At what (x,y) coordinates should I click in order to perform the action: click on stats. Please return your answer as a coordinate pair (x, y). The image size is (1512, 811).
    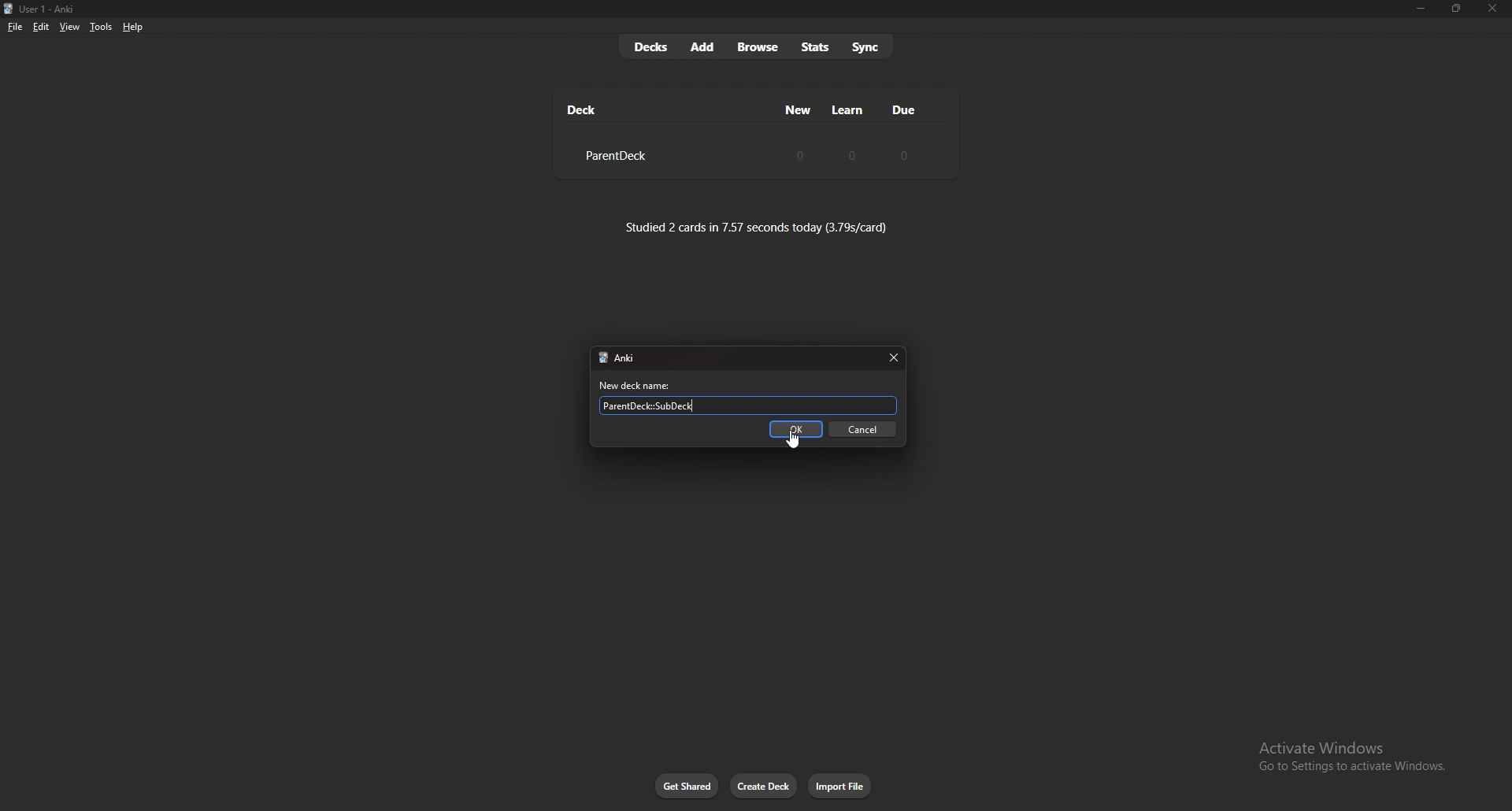
    Looking at the image, I should click on (815, 47).